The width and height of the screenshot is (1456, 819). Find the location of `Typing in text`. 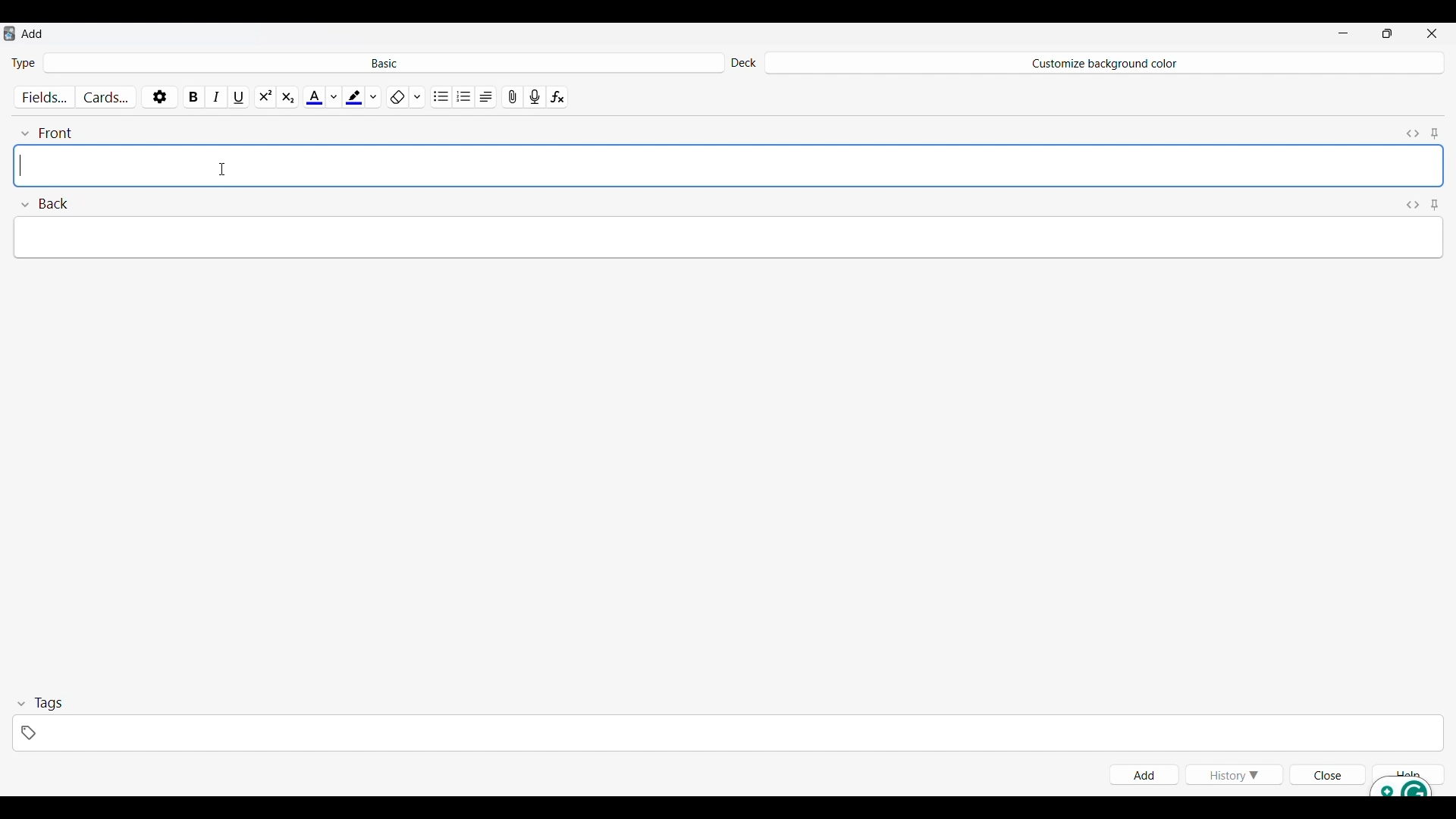

Typing in text is located at coordinates (23, 165).